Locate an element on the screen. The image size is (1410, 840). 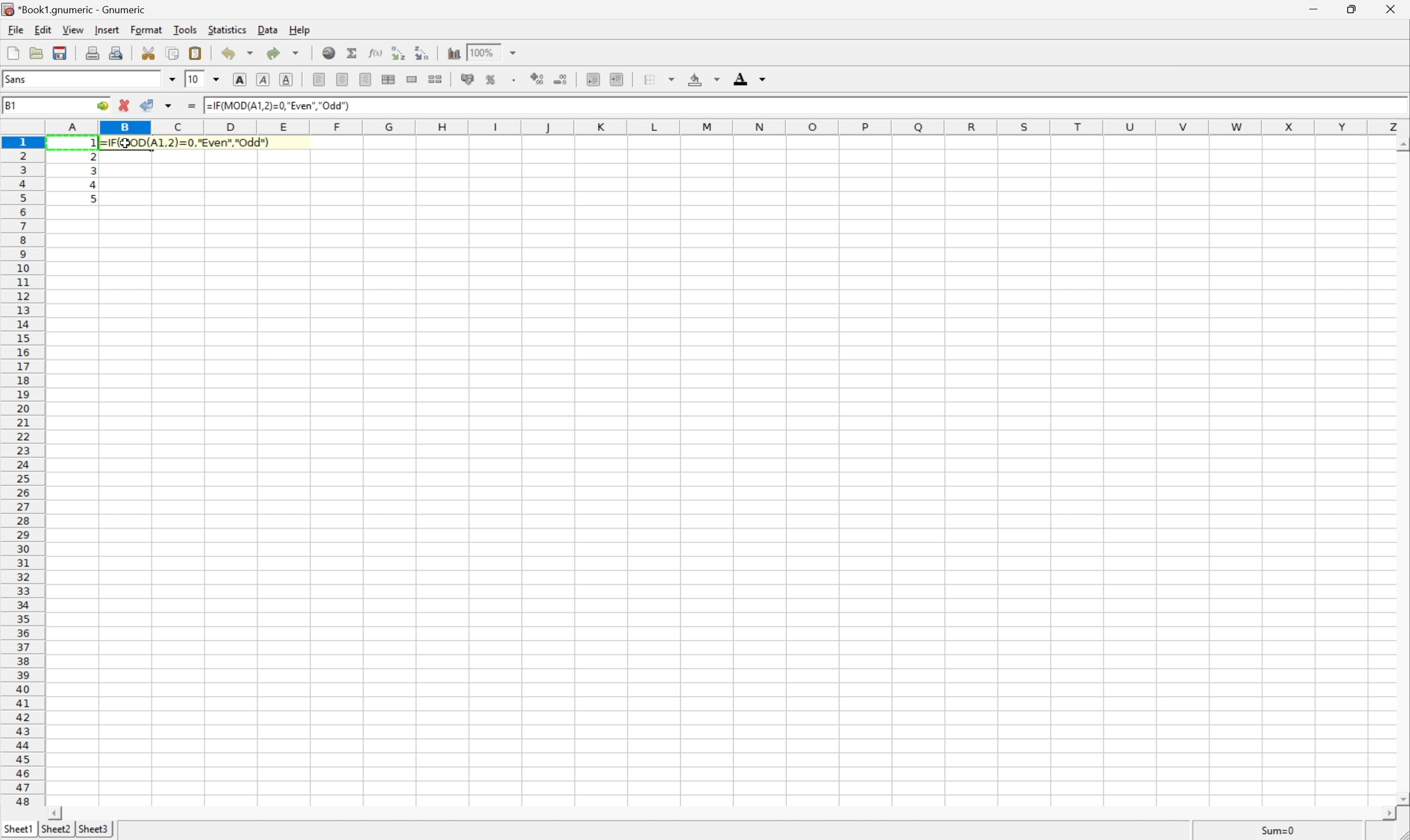
Center horizontally is located at coordinates (342, 78).